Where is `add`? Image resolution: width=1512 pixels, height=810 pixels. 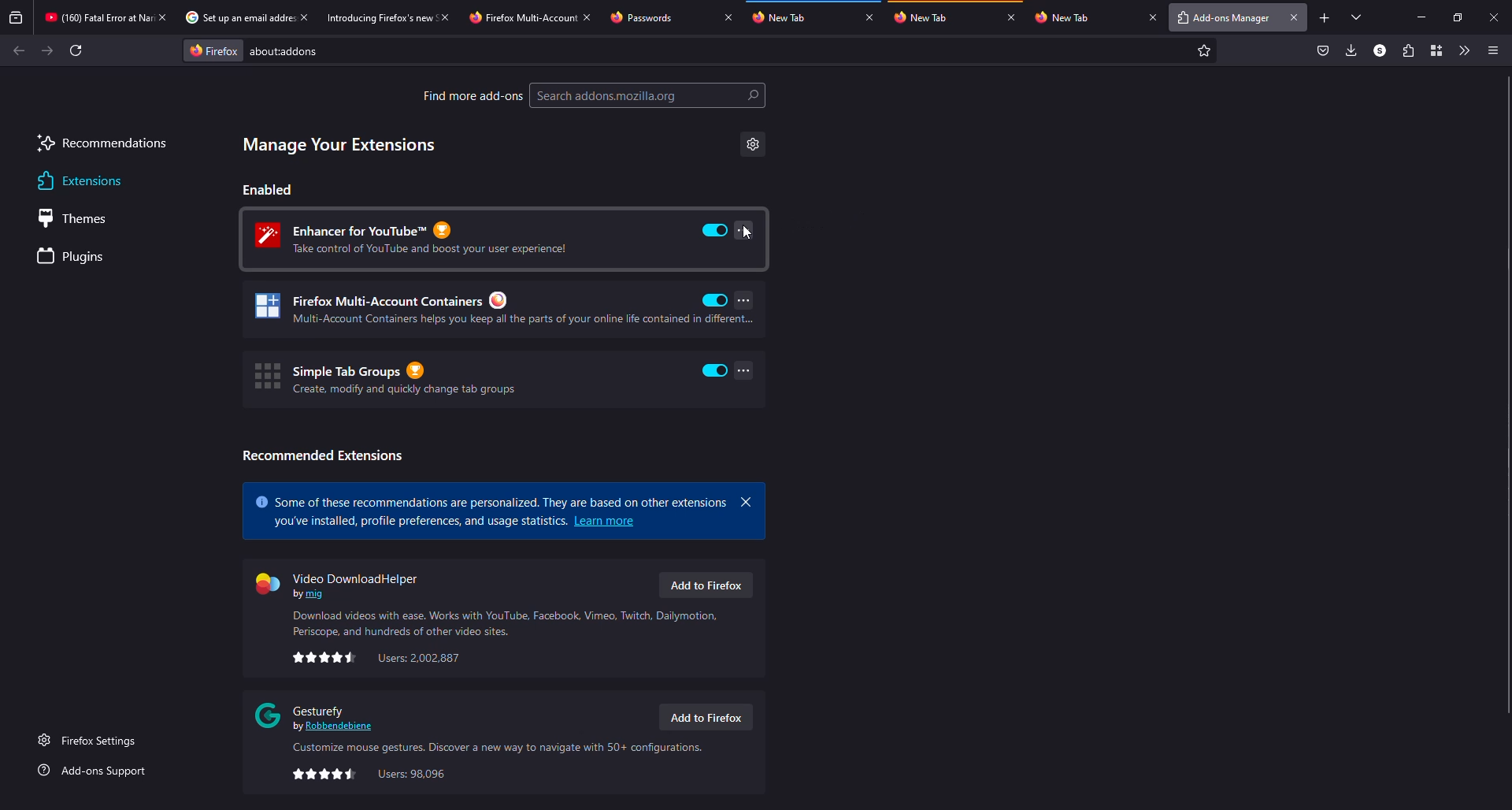
add is located at coordinates (1325, 18).